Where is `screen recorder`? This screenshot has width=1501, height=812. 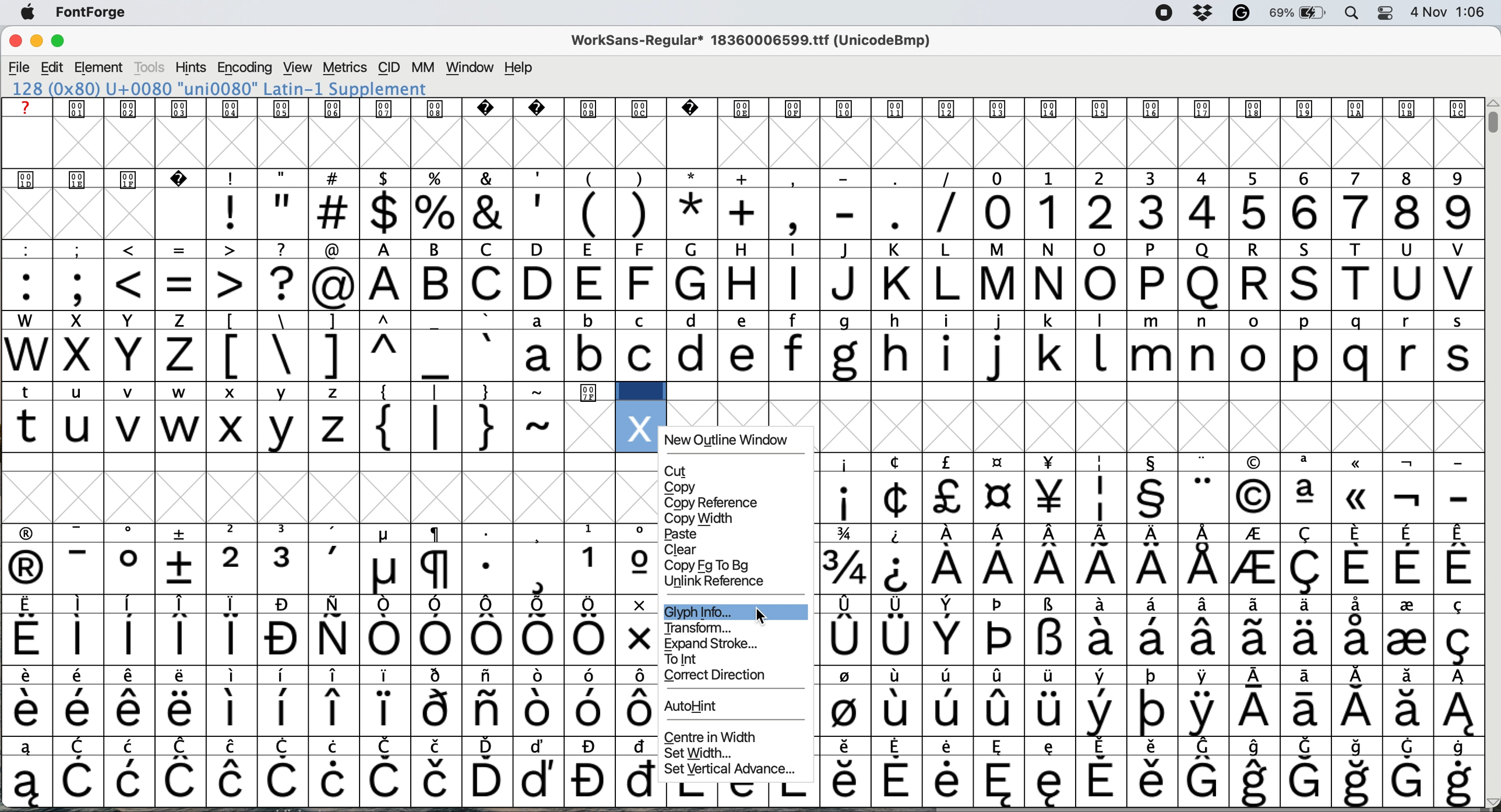 screen recorder is located at coordinates (1160, 13).